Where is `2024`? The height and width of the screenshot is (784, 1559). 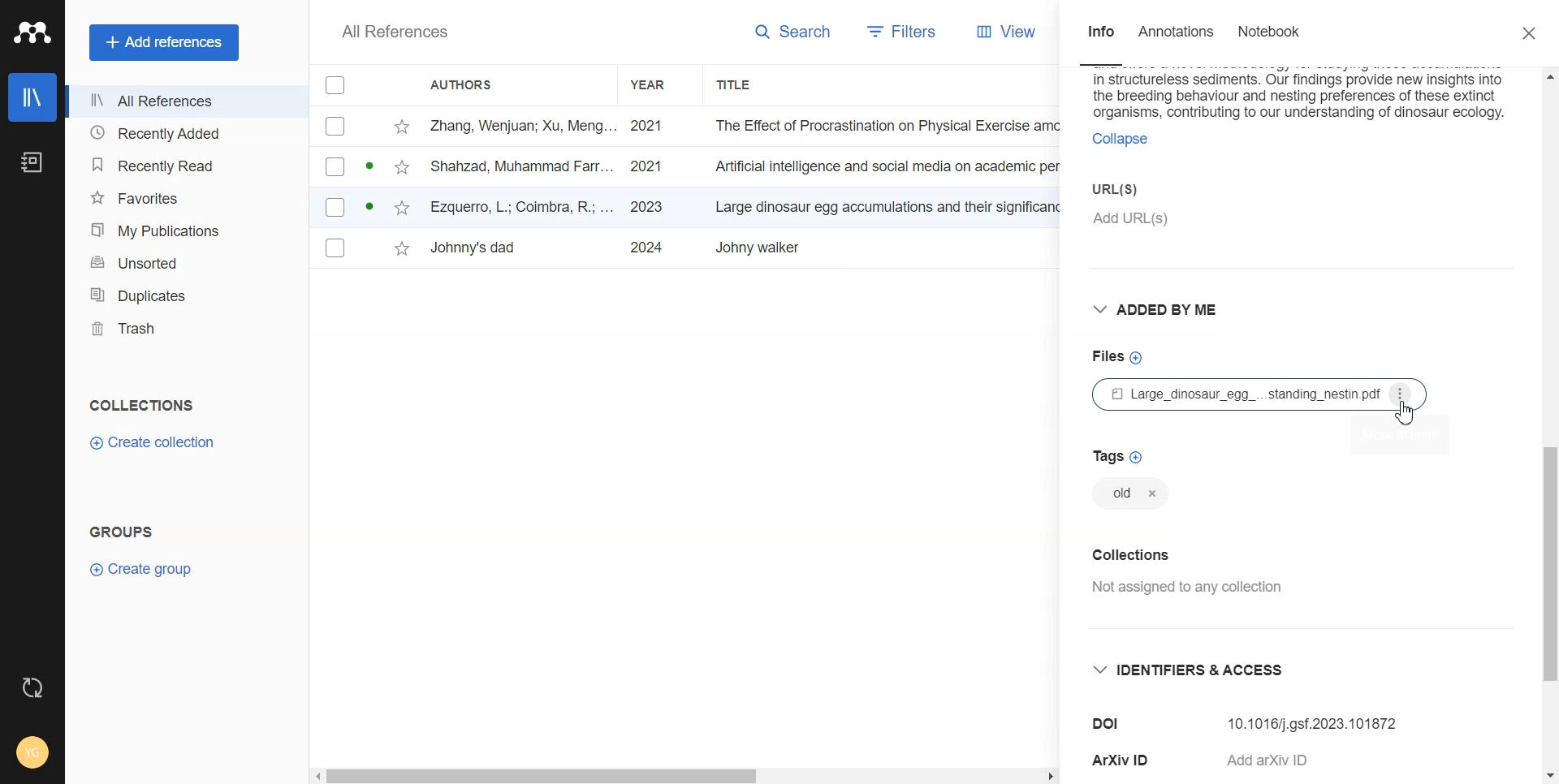
2024 is located at coordinates (645, 247).